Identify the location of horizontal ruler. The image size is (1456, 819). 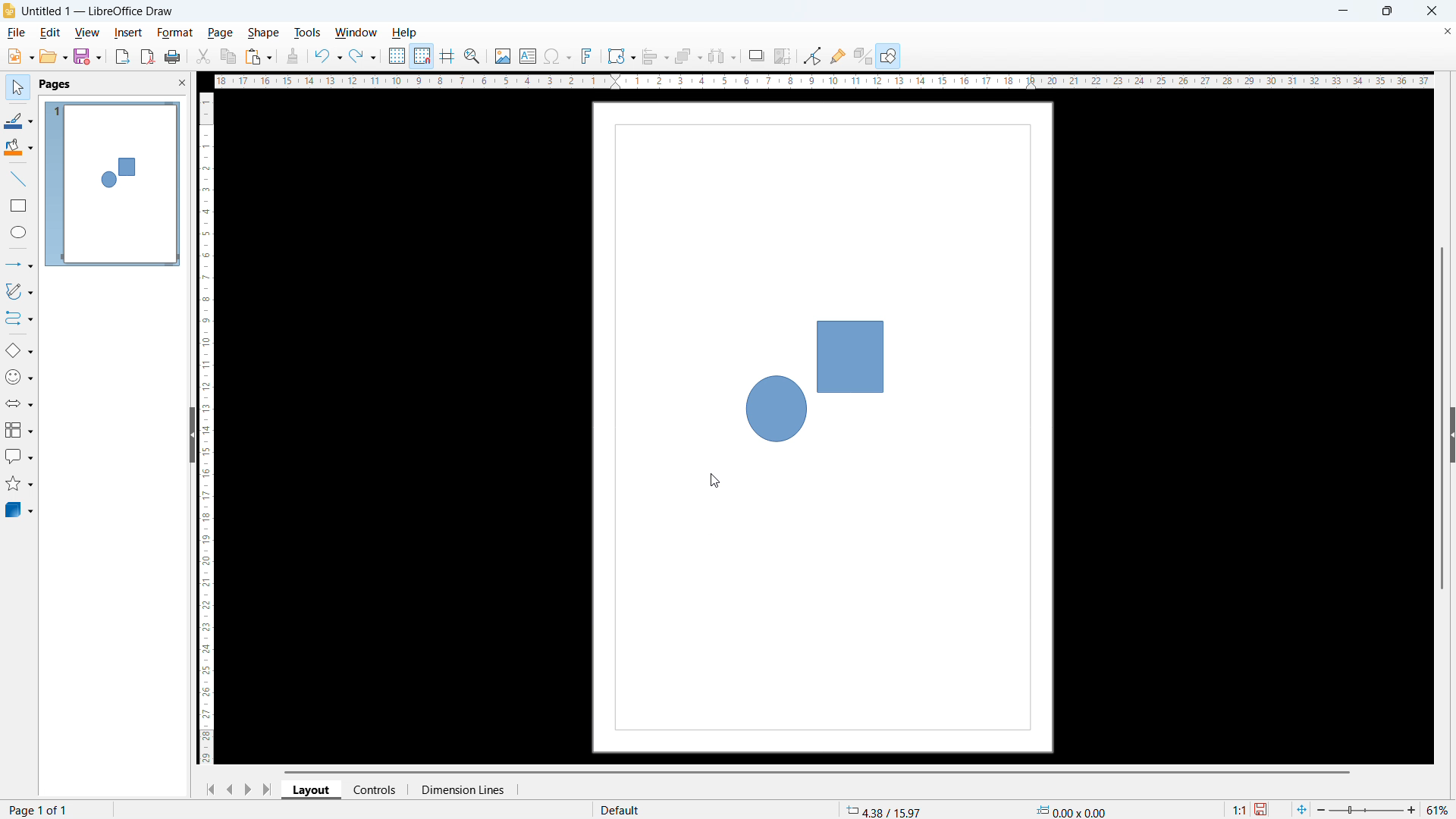
(823, 81).